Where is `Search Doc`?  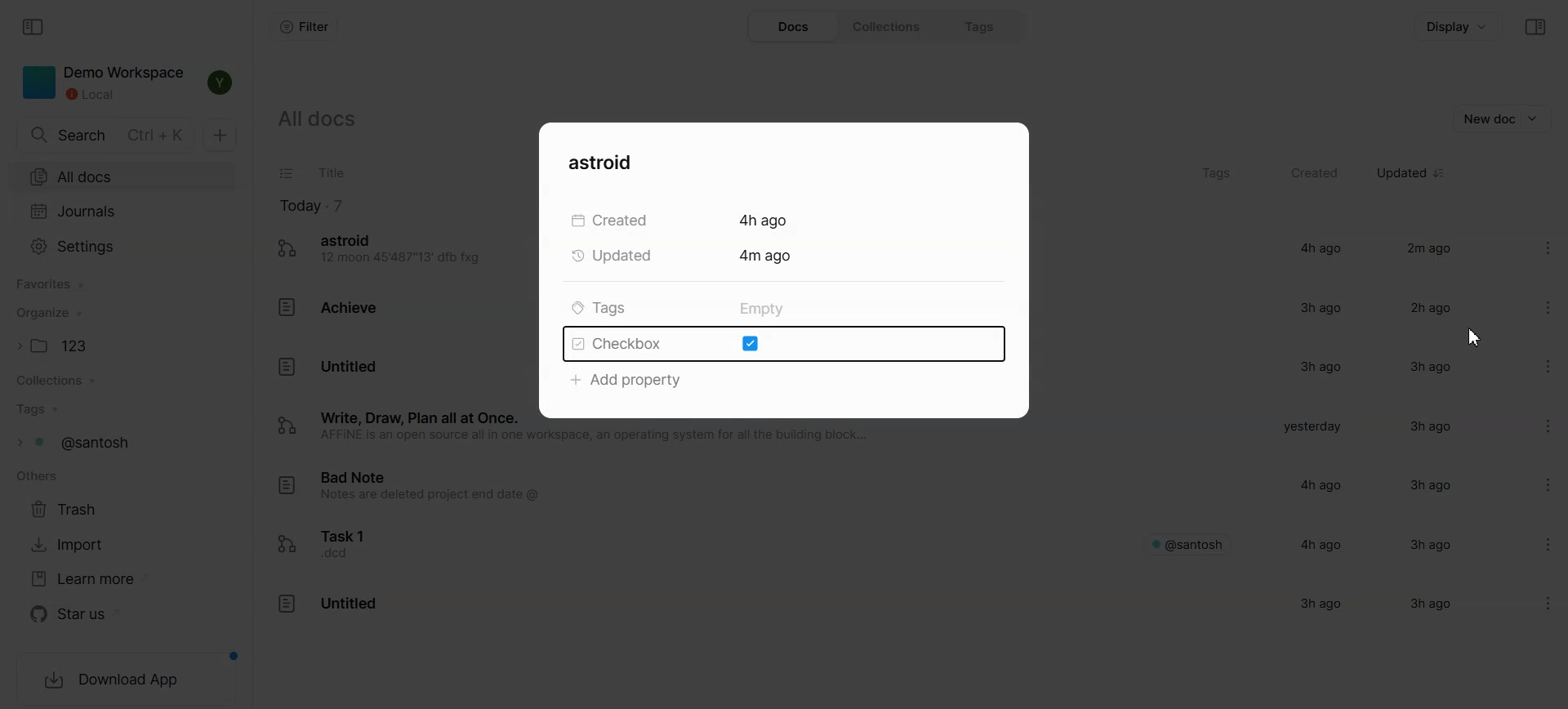 Search Doc is located at coordinates (105, 135).